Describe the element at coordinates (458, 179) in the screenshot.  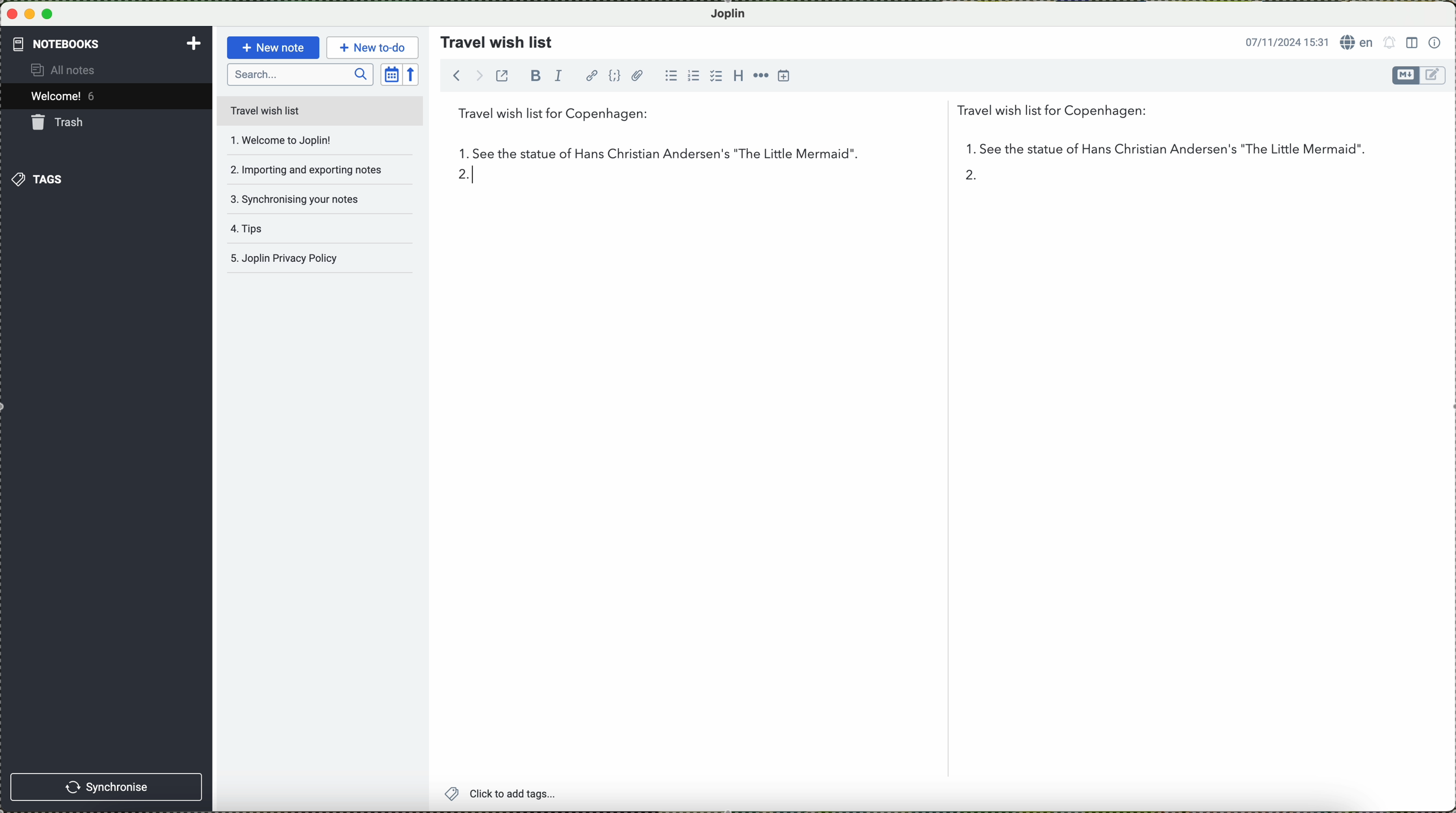
I see `2.` at that location.